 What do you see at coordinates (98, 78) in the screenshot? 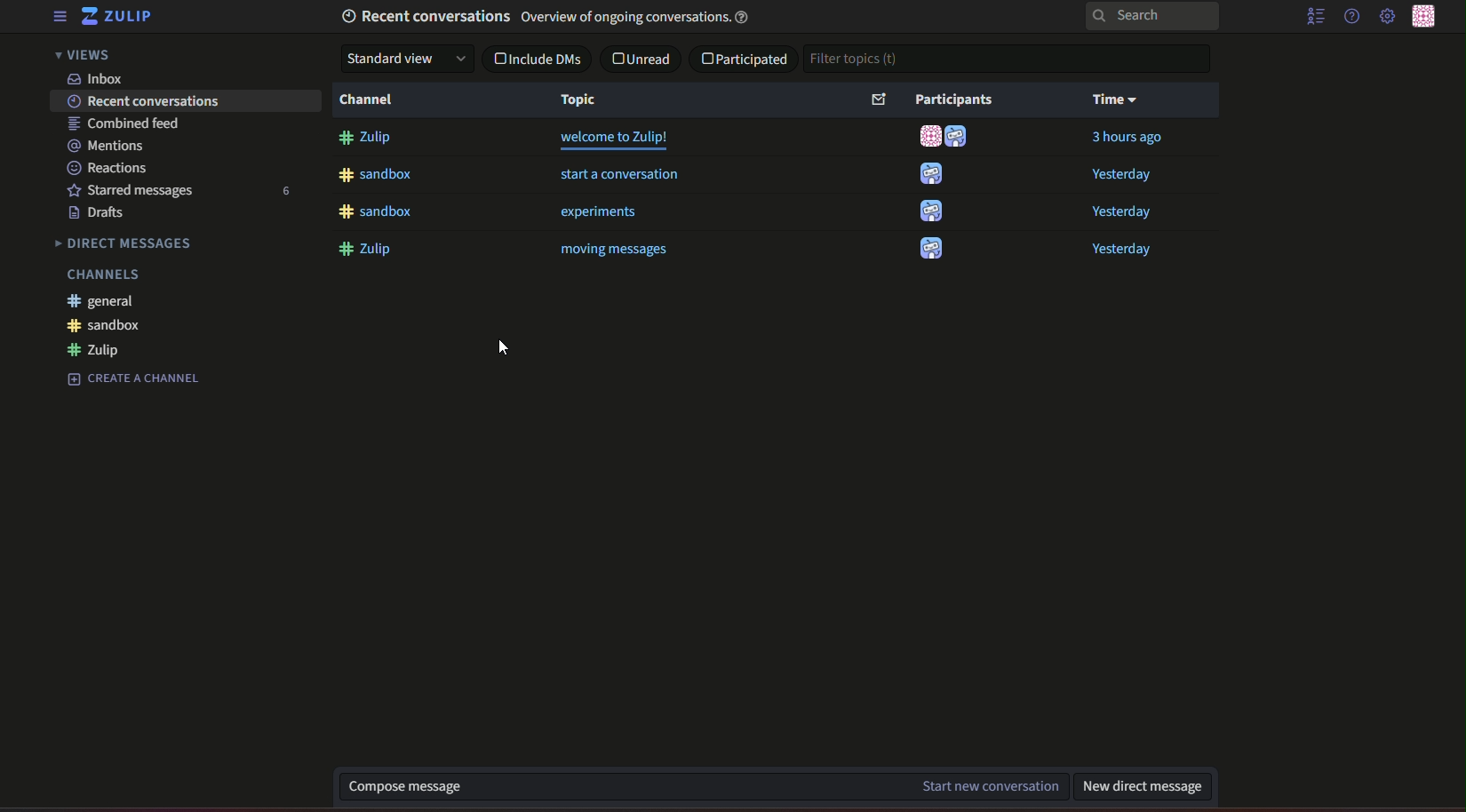
I see `inbox` at bounding box center [98, 78].